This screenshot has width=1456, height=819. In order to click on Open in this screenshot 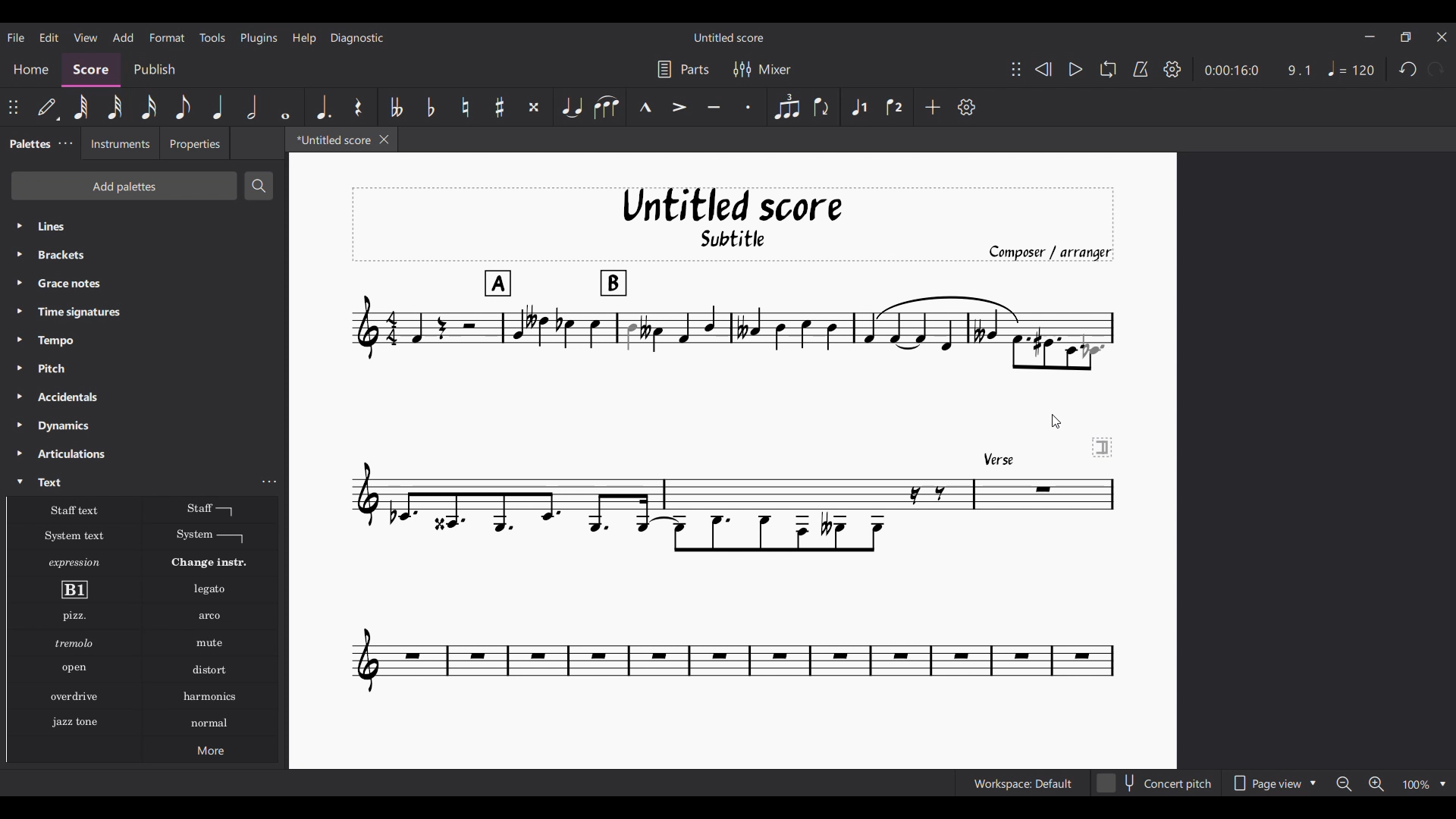, I will do `click(74, 669)`.